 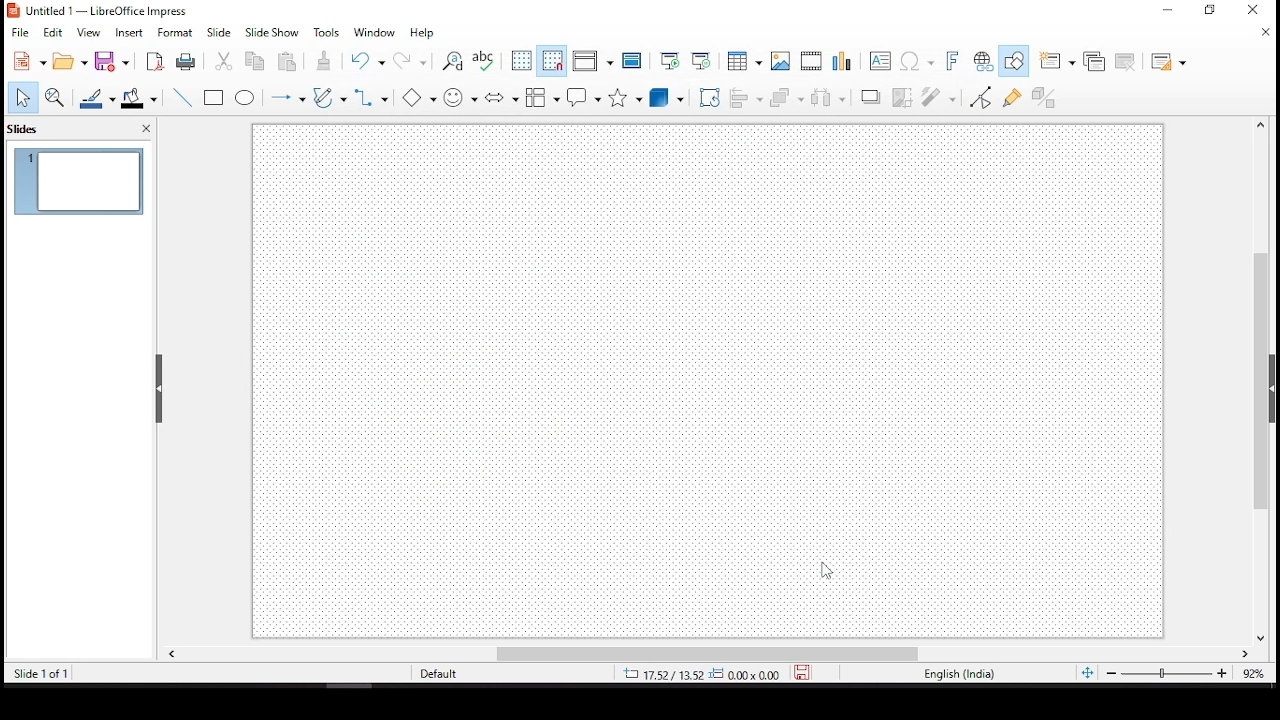 I want to click on edit, so click(x=52, y=31).